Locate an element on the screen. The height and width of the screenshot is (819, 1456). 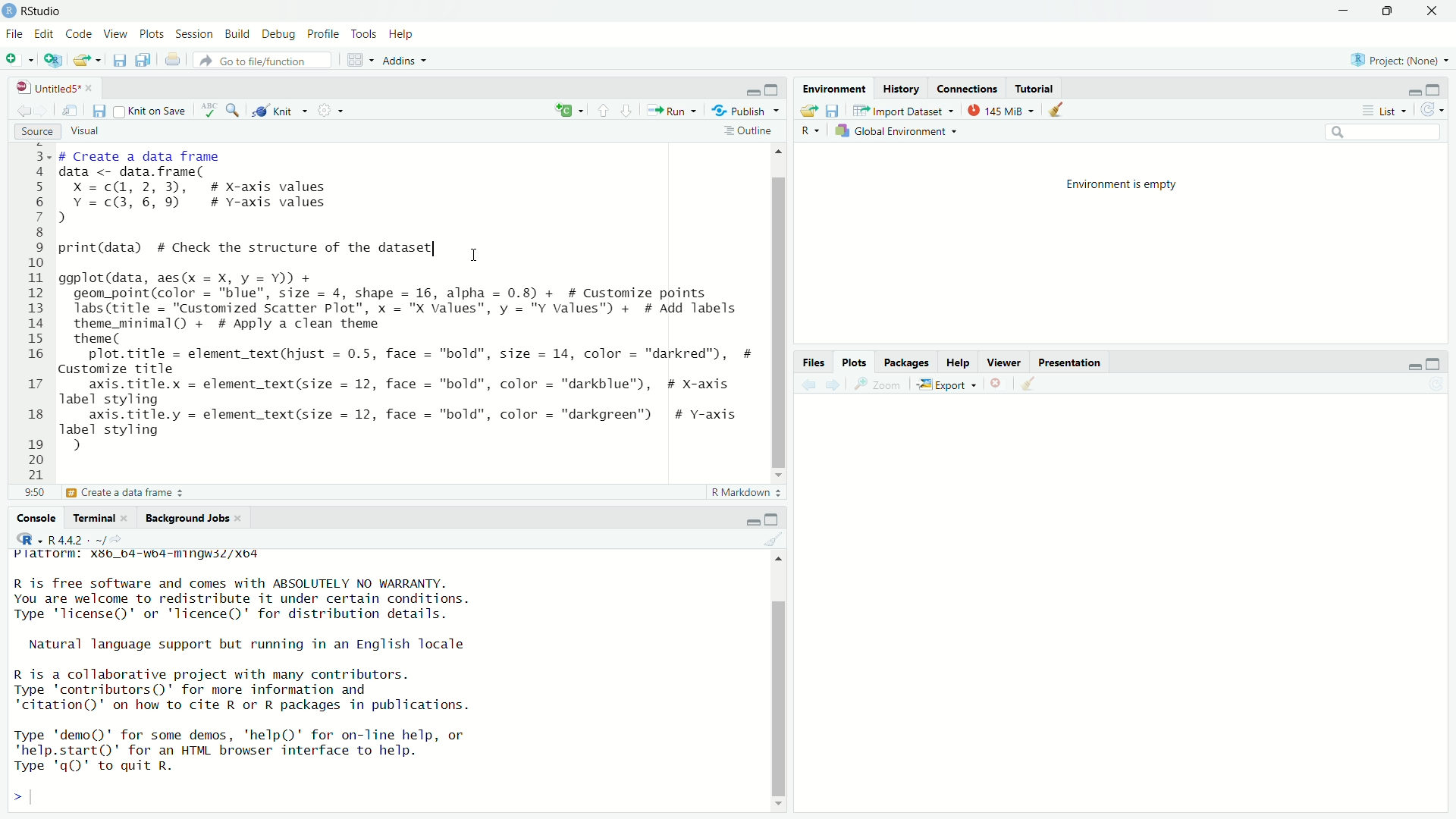
Maximize is located at coordinates (773, 520).